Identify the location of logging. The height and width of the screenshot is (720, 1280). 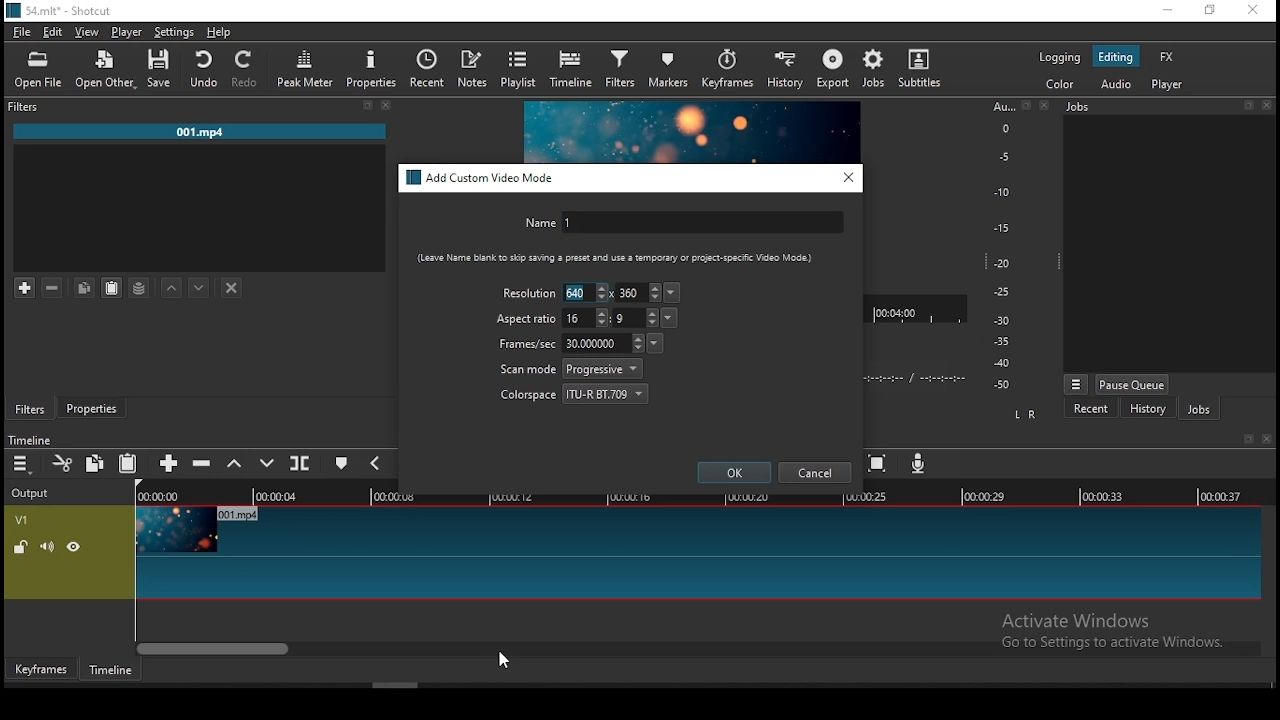
(1059, 56).